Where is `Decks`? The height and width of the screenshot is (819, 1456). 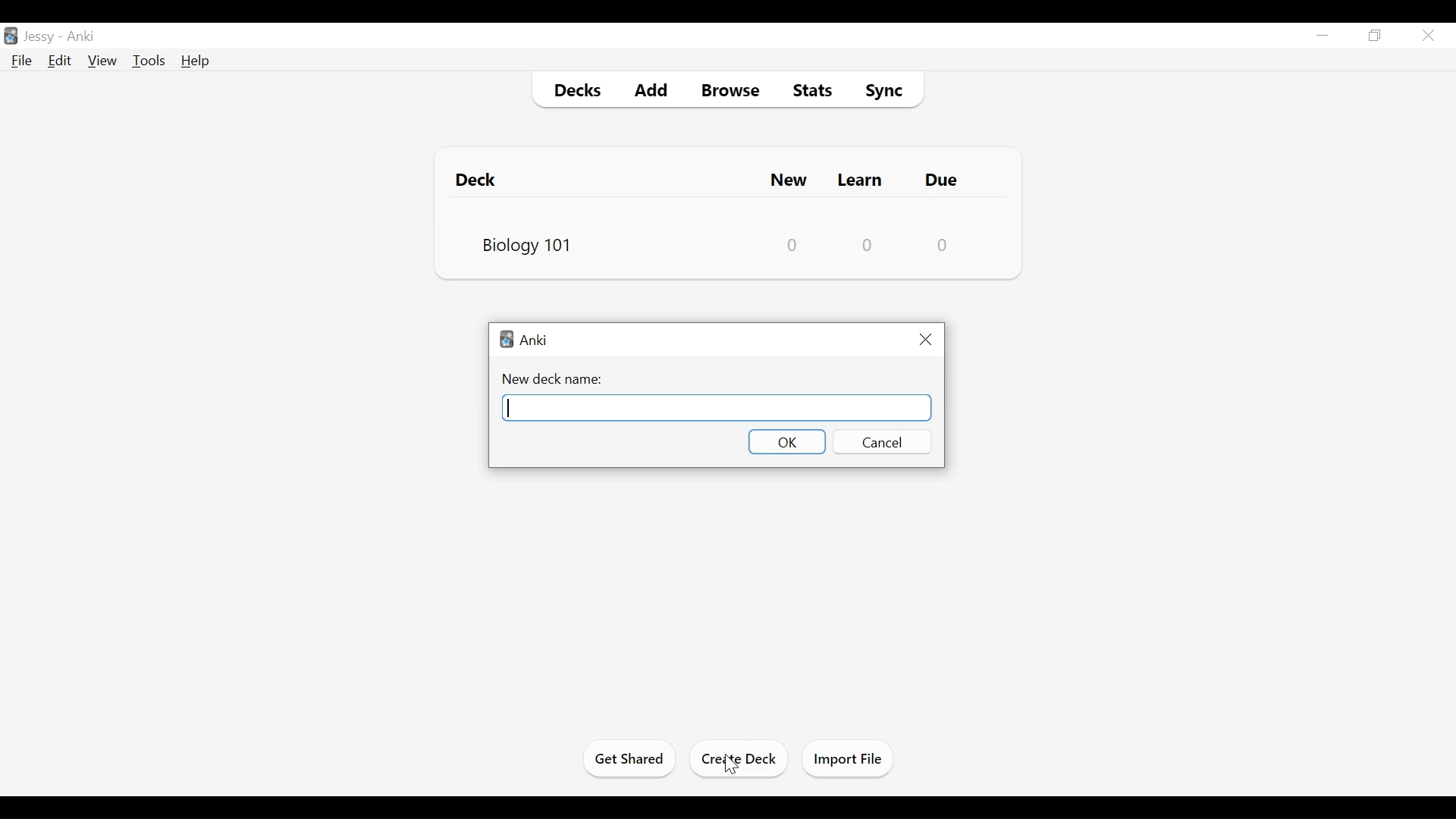 Decks is located at coordinates (573, 89).